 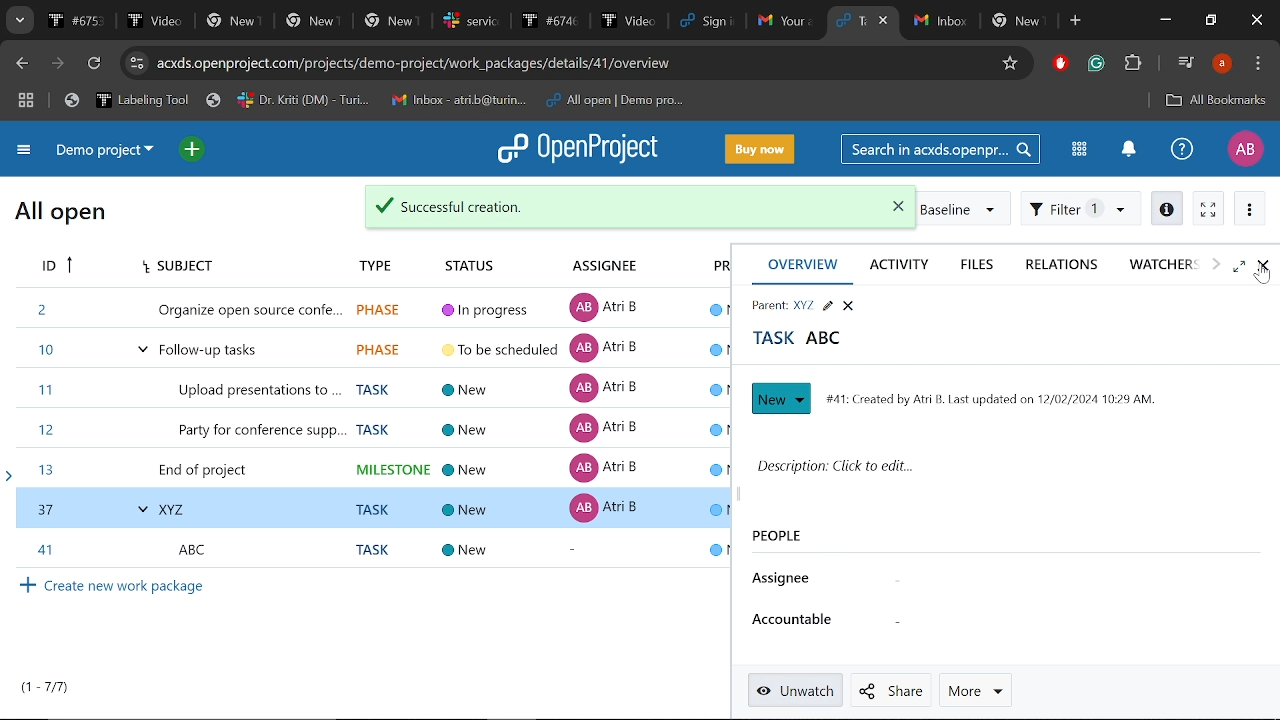 What do you see at coordinates (975, 689) in the screenshot?
I see `More` at bounding box center [975, 689].